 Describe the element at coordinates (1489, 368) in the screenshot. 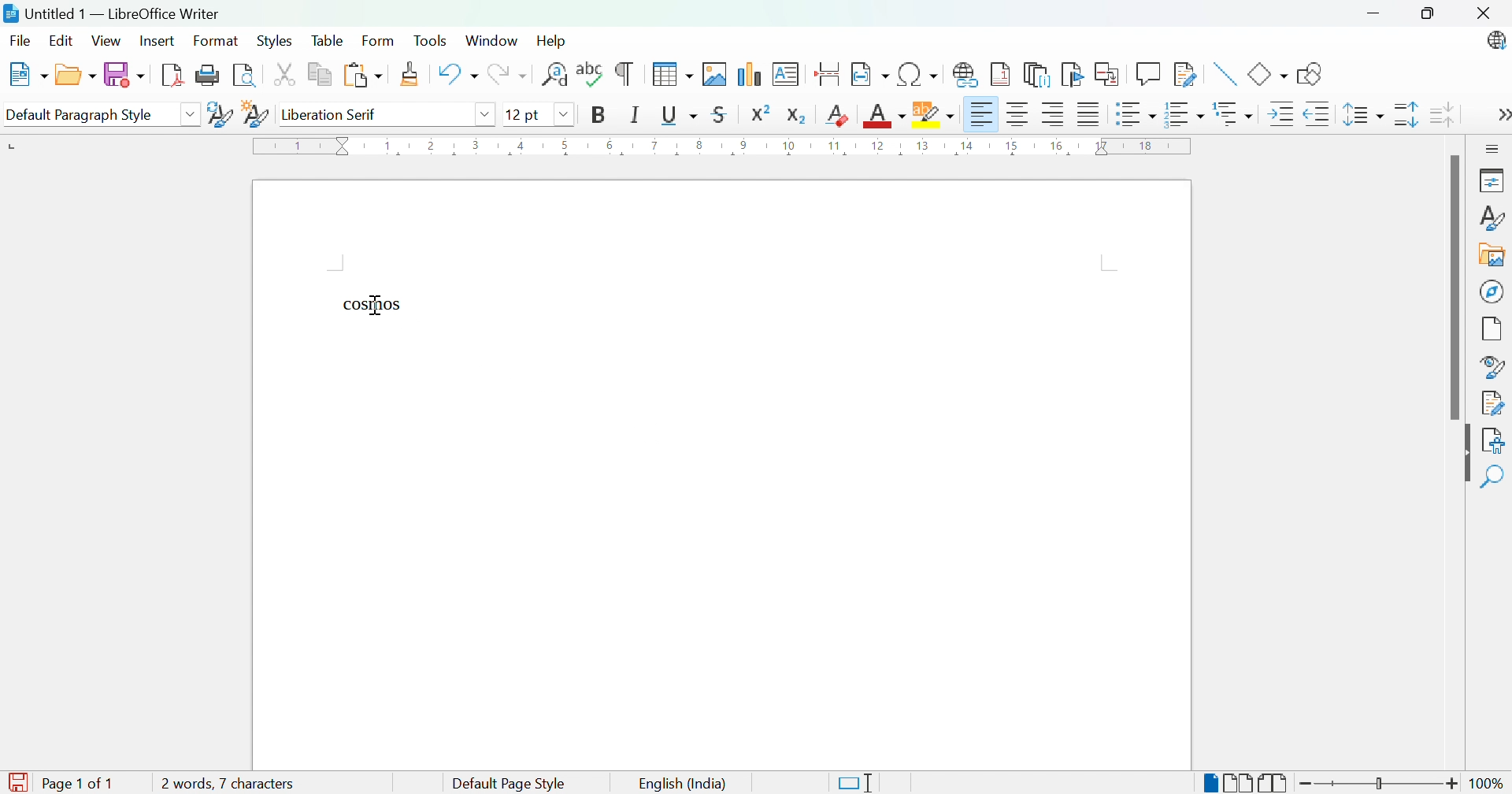

I see `Style inspector` at that location.